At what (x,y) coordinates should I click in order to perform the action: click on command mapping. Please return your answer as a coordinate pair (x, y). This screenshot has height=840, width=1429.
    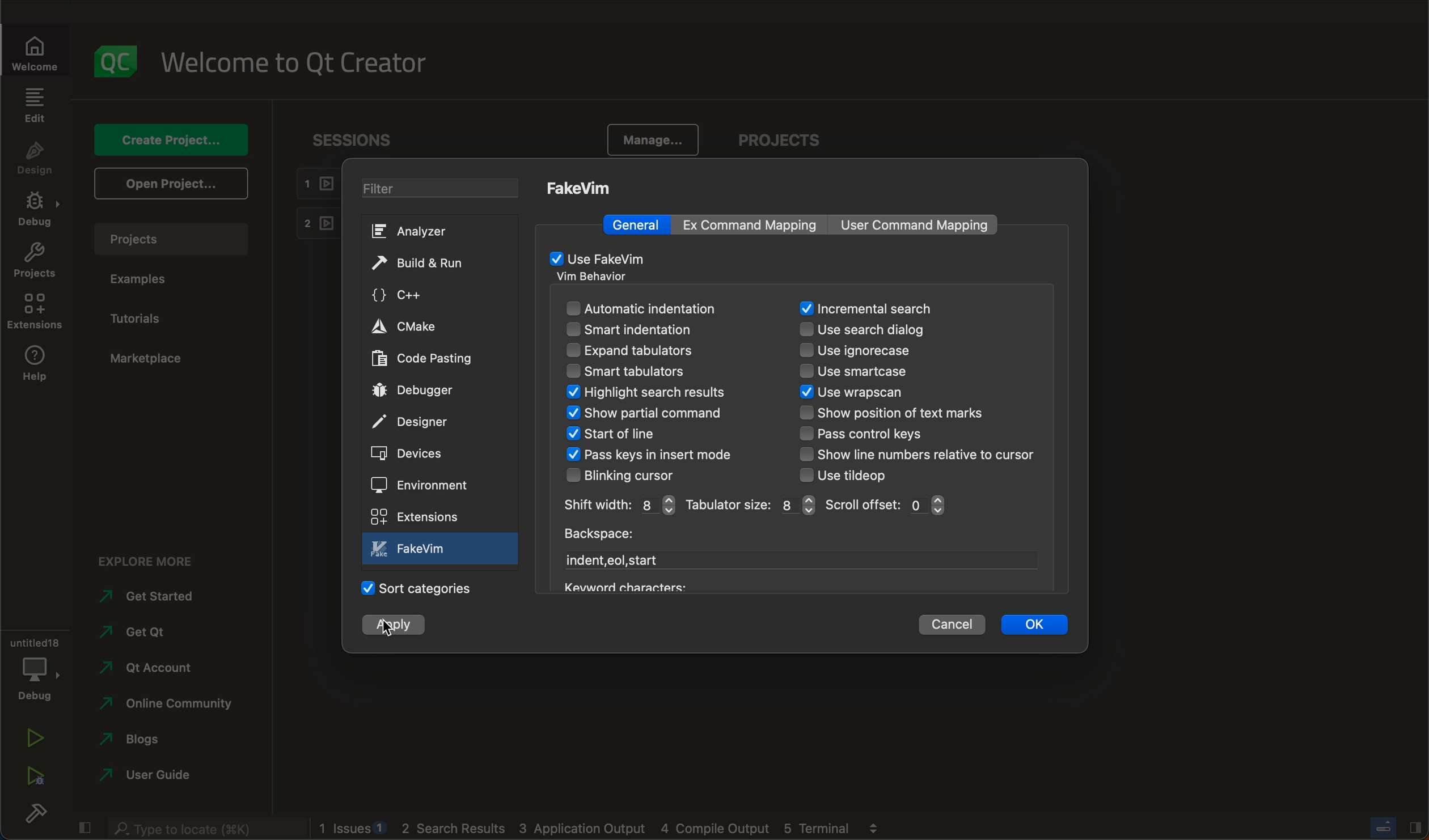
    Looking at the image, I should click on (917, 226).